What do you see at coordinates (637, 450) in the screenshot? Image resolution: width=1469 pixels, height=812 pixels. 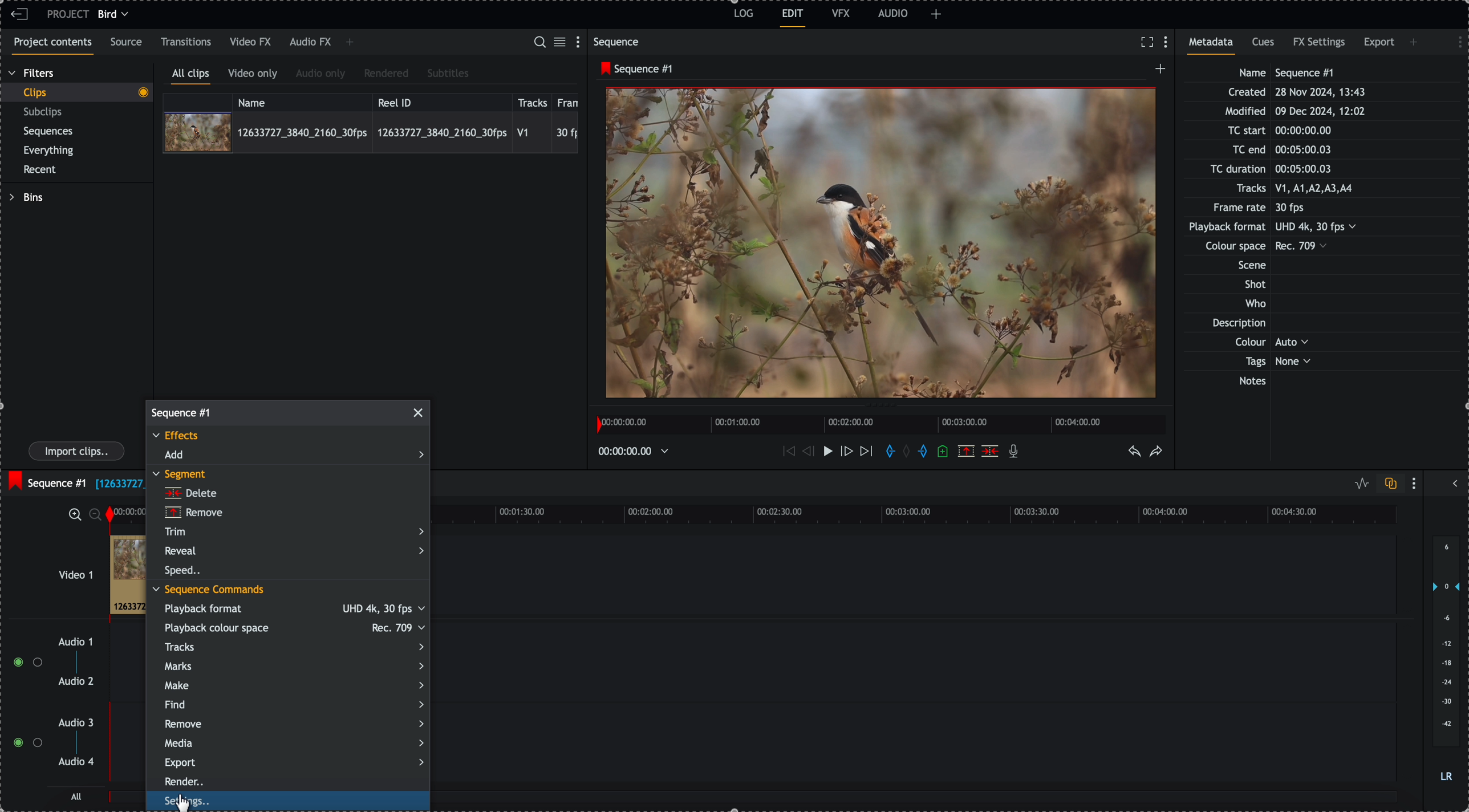 I see `timeline` at bounding box center [637, 450].